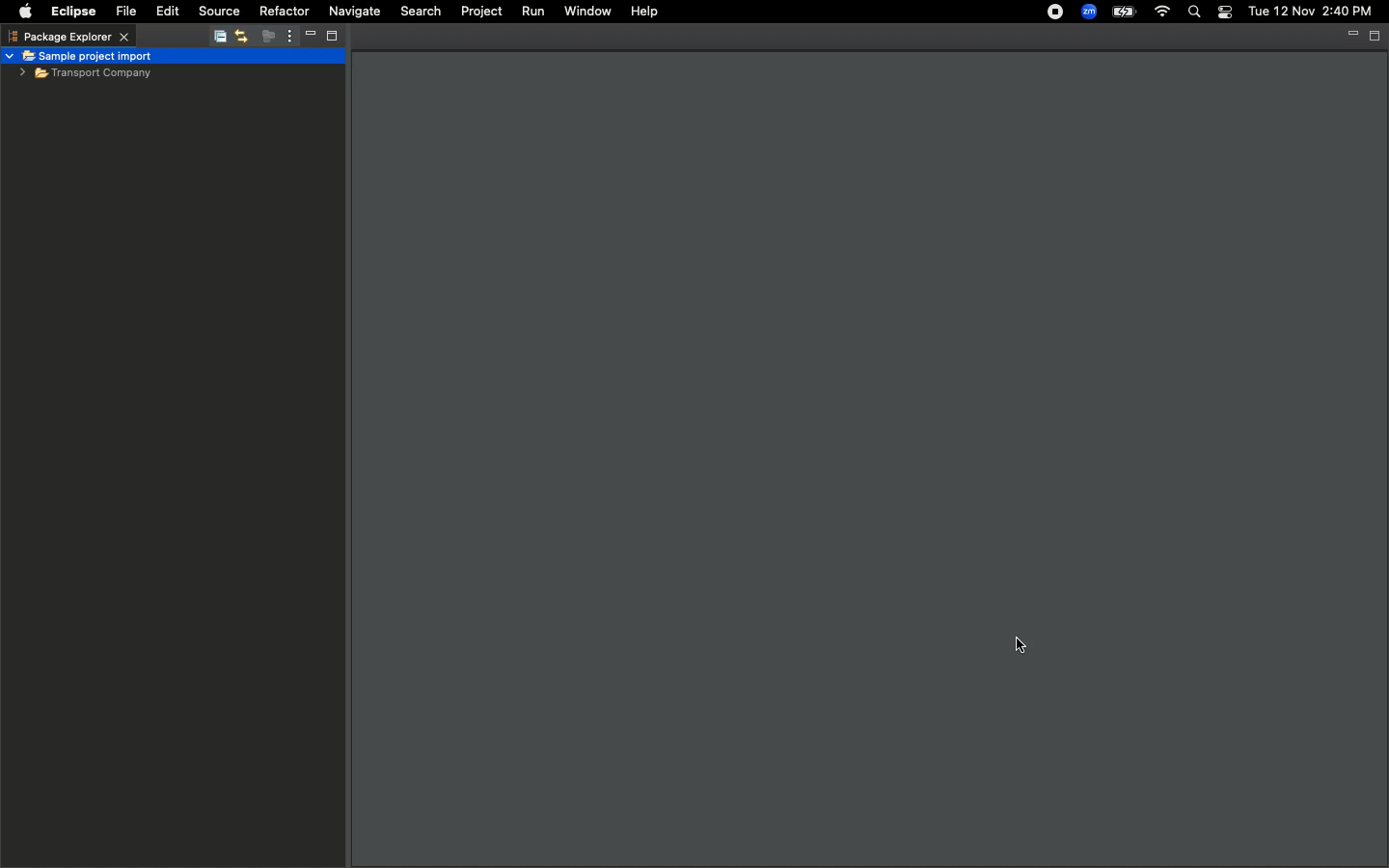  Describe the element at coordinates (352, 14) in the screenshot. I see `Navigate` at that location.